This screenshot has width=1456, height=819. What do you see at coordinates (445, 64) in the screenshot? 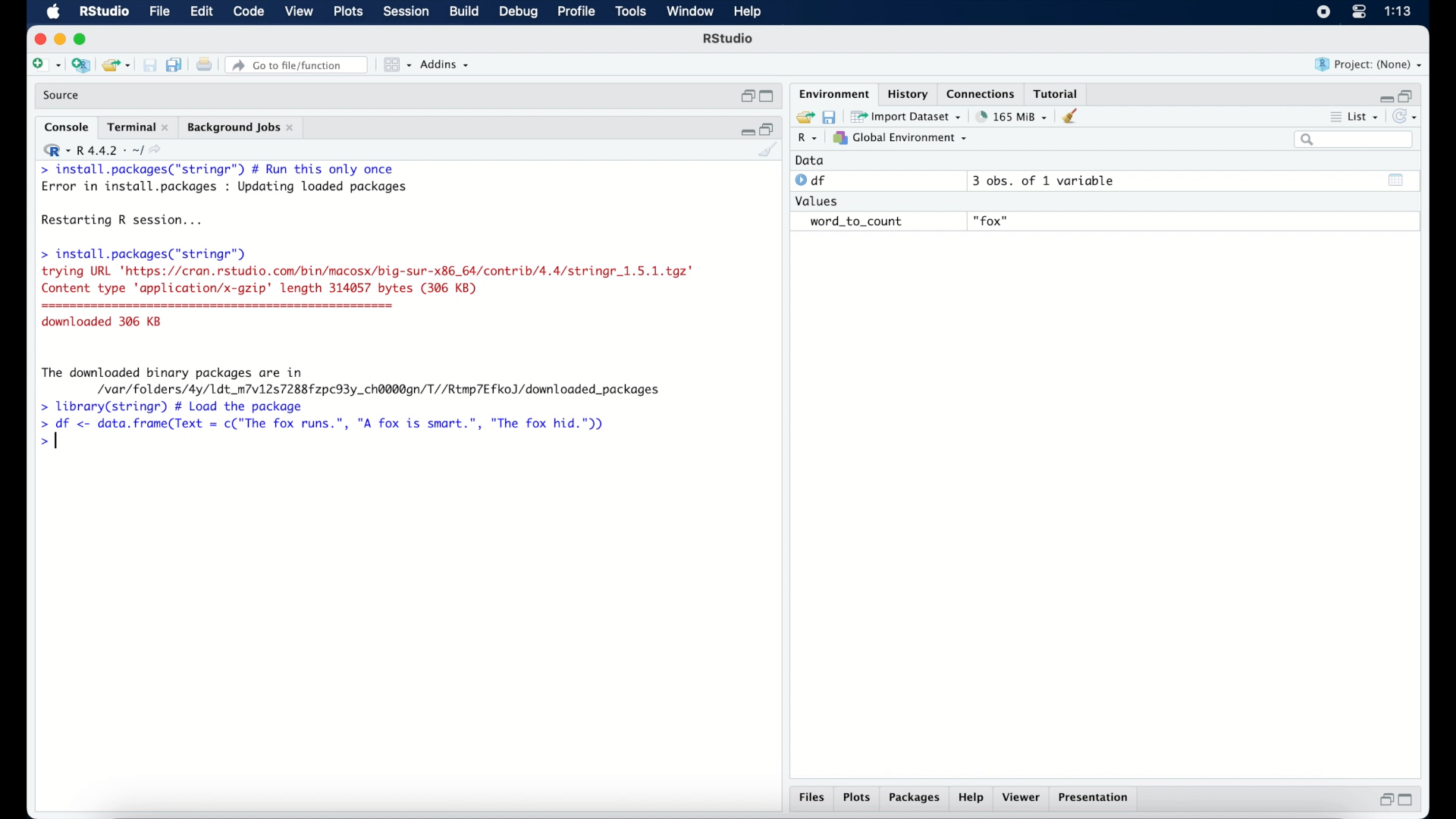
I see `addins` at bounding box center [445, 64].